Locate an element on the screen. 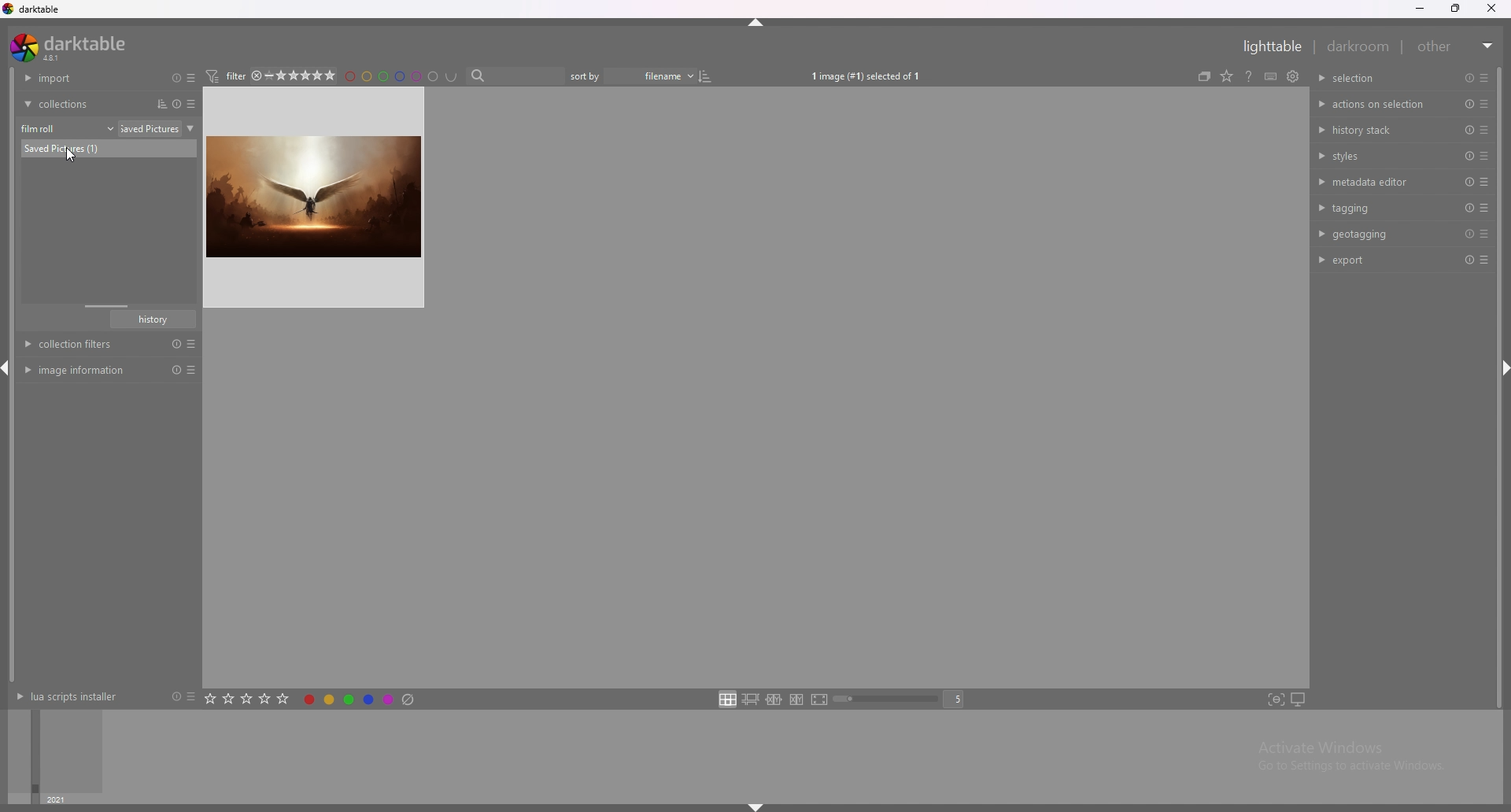 This screenshot has height=812, width=1511. history stack is located at coordinates (1377, 129).